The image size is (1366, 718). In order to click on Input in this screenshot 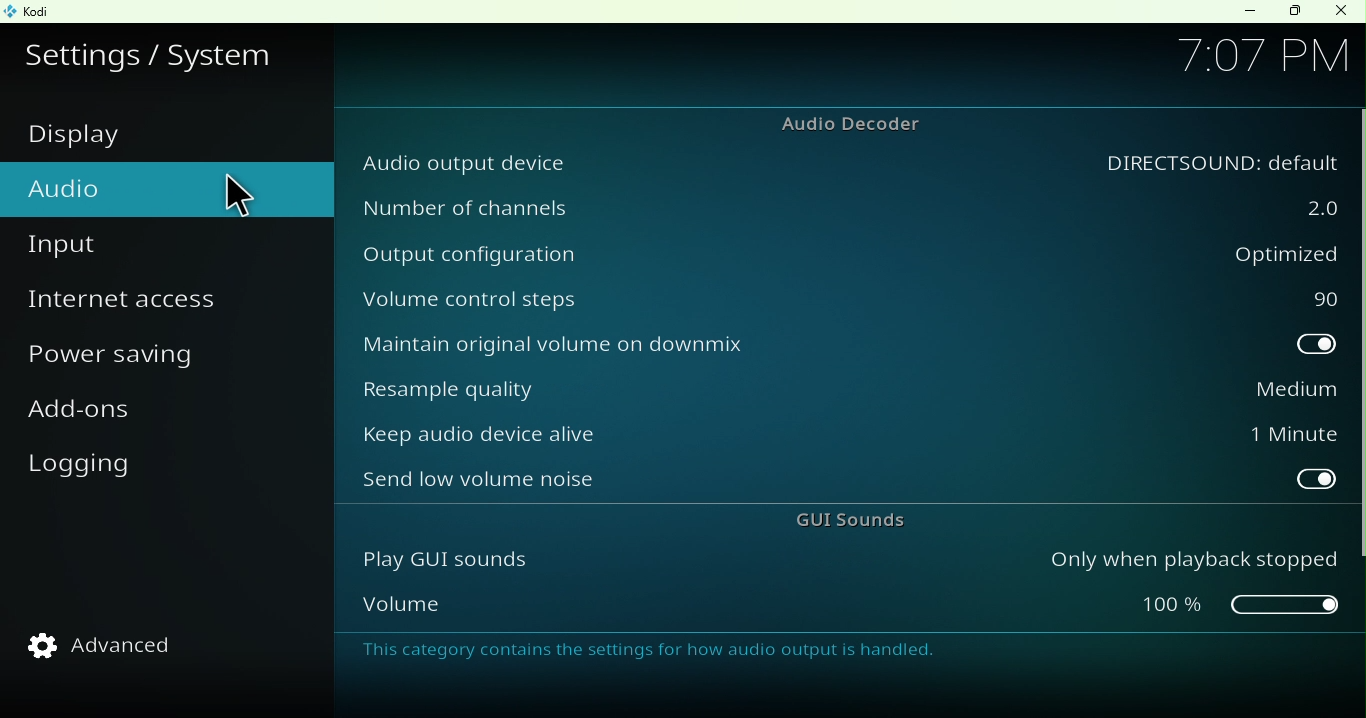, I will do `click(68, 244)`.